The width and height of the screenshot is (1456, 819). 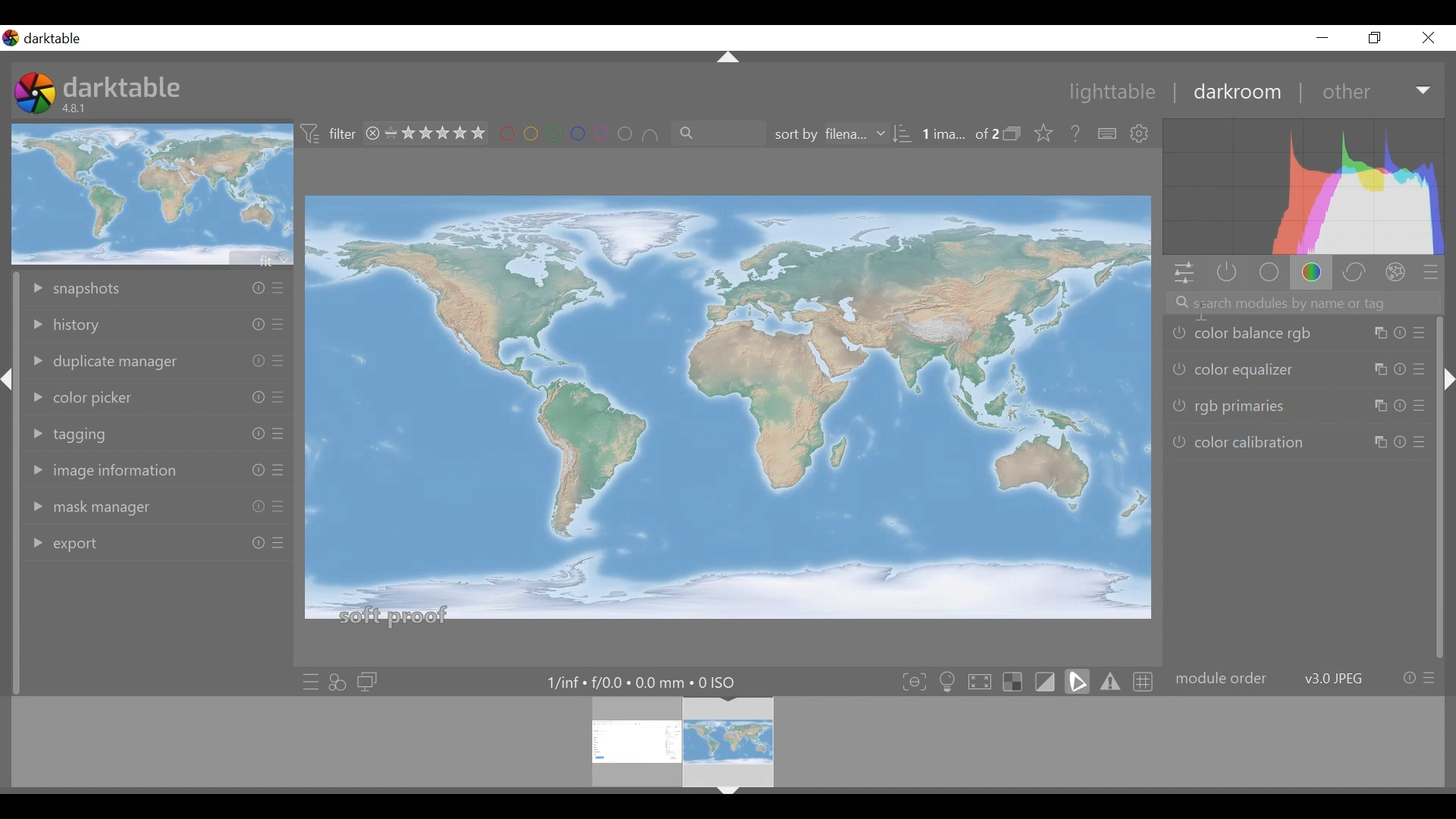 What do you see at coordinates (1431, 276) in the screenshot?
I see `presets` at bounding box center [1431, 276].